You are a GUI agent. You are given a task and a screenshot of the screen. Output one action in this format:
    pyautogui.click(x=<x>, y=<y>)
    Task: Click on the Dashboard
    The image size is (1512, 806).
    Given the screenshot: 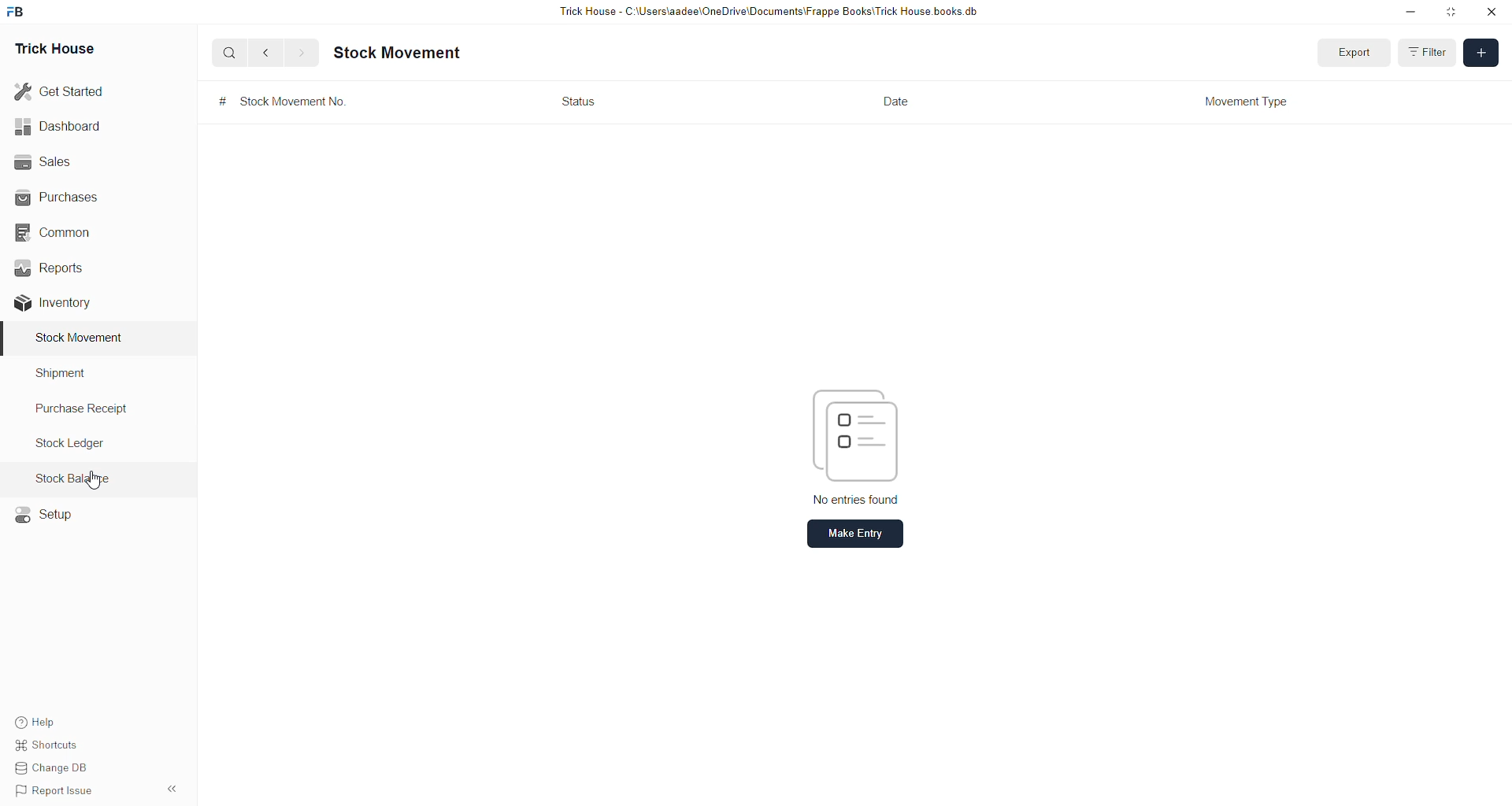 What is the action you would take?
    pyautogui.click(x=57, y=129)
    